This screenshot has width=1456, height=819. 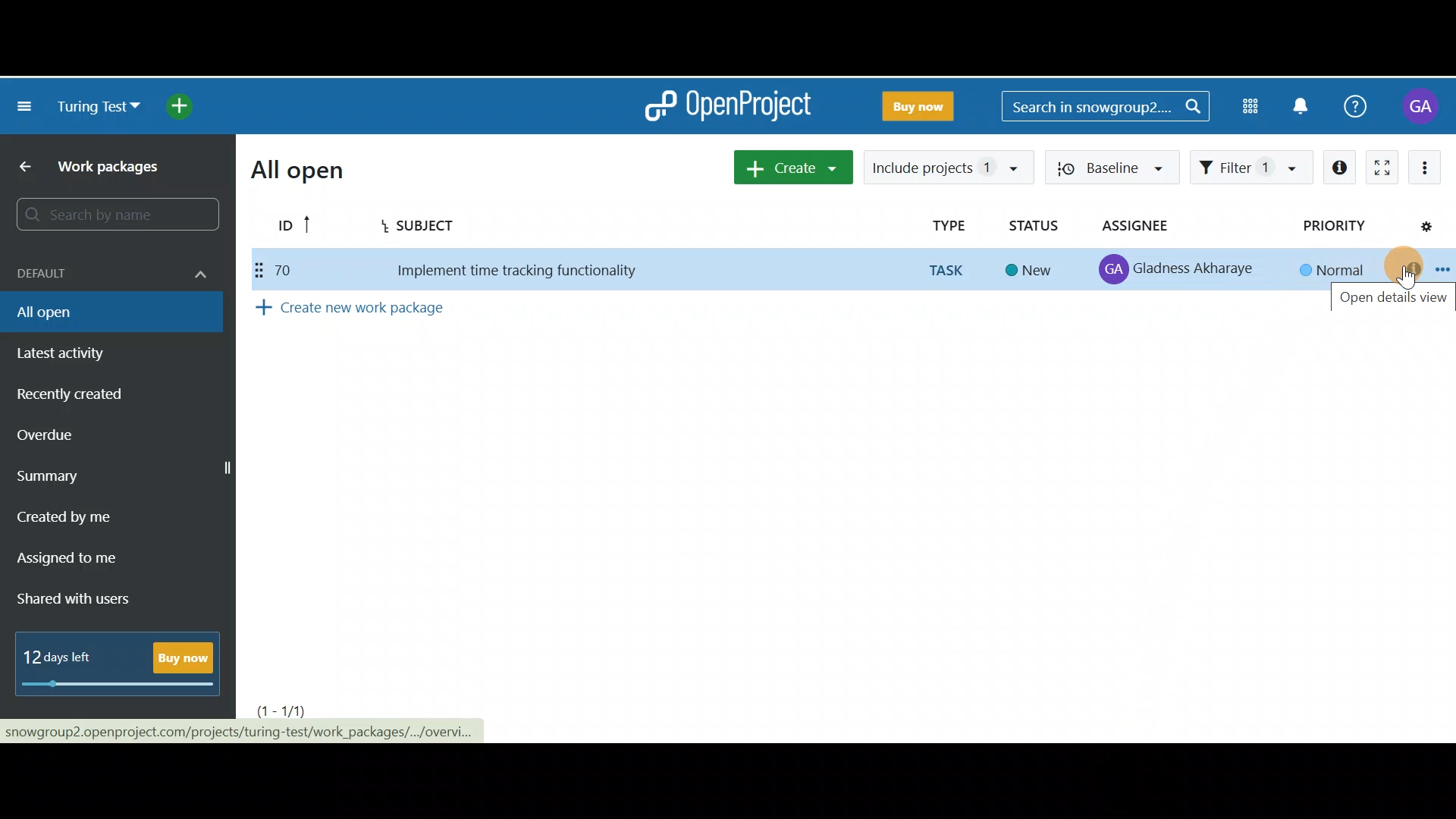 What do you see at coordinates (1253, 104) in the screenshot?
I see `Modules` at bounding box center [1253, 104].